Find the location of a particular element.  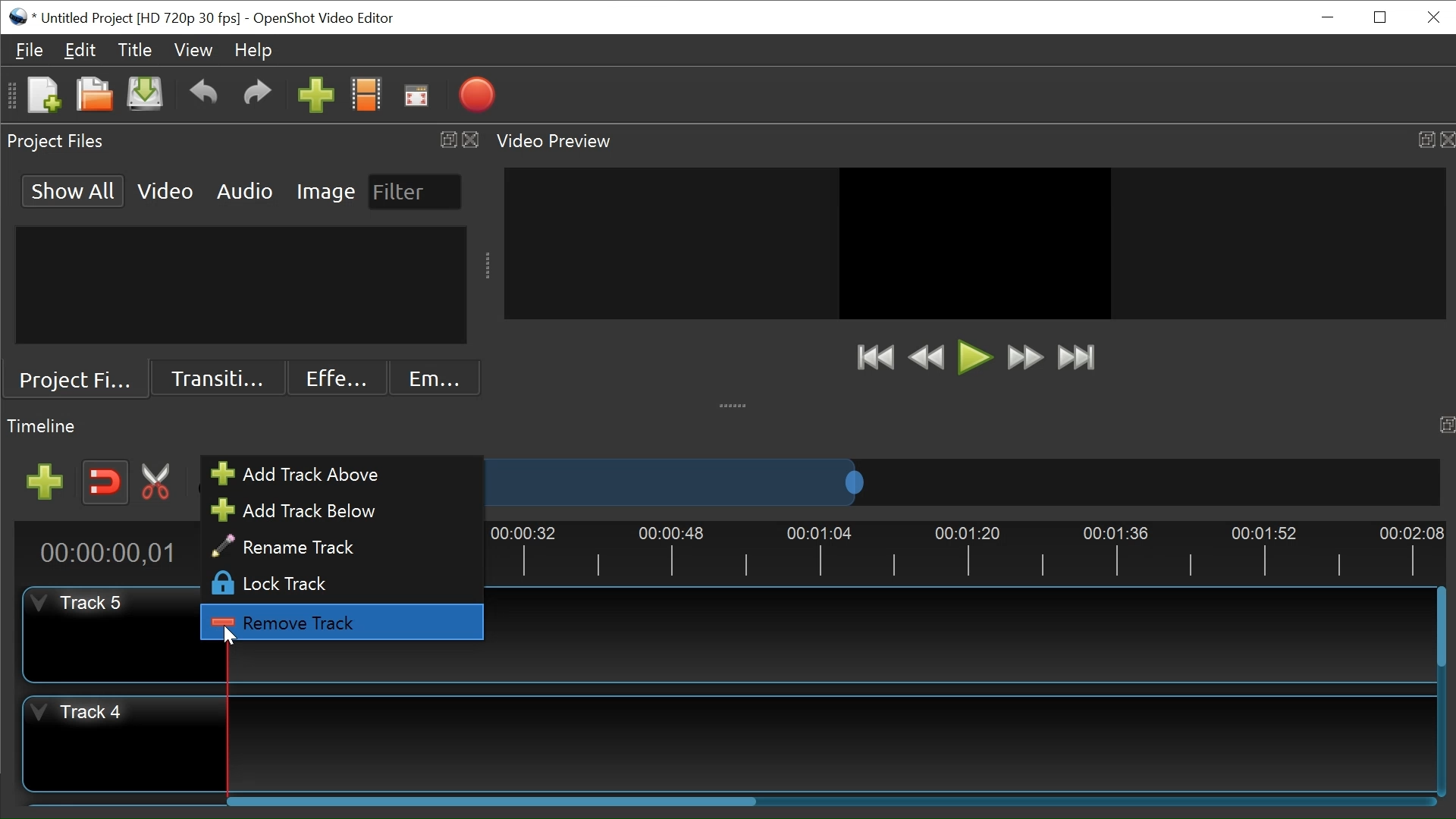

Close is located at coordinates (1431, 17).